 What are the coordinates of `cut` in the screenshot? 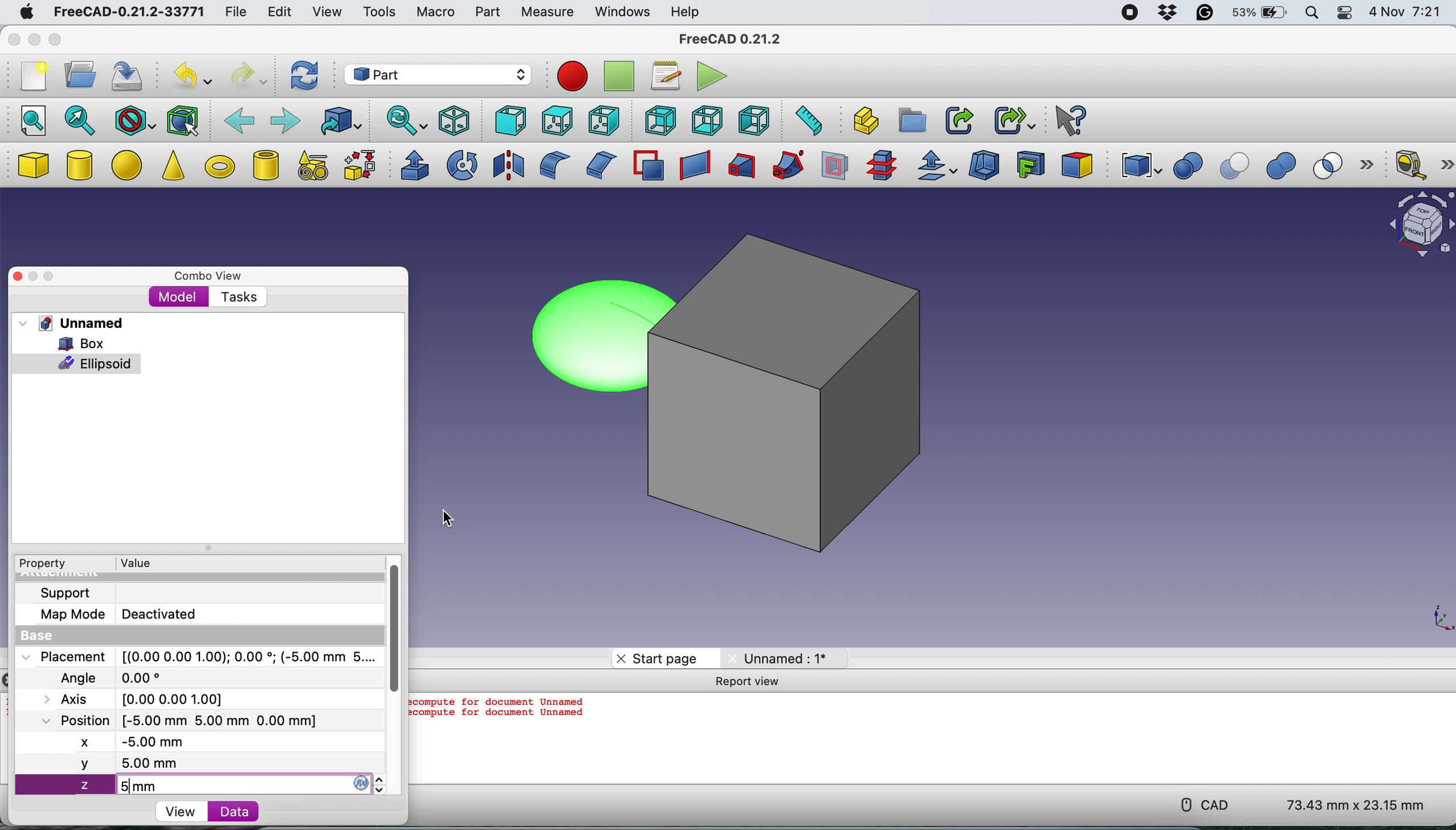 It's located at (1237, 166).